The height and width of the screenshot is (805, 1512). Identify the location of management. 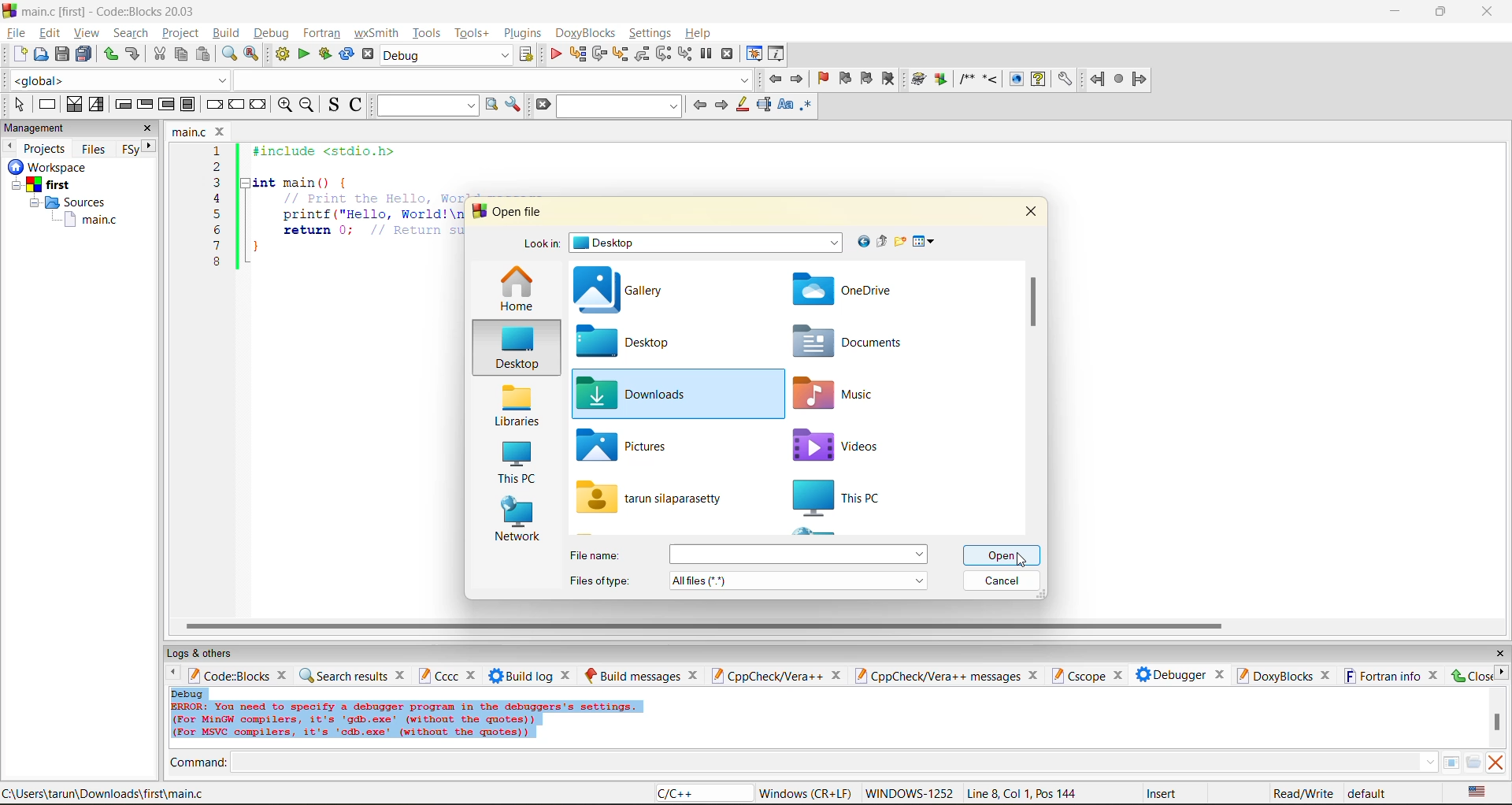
(37, 129).